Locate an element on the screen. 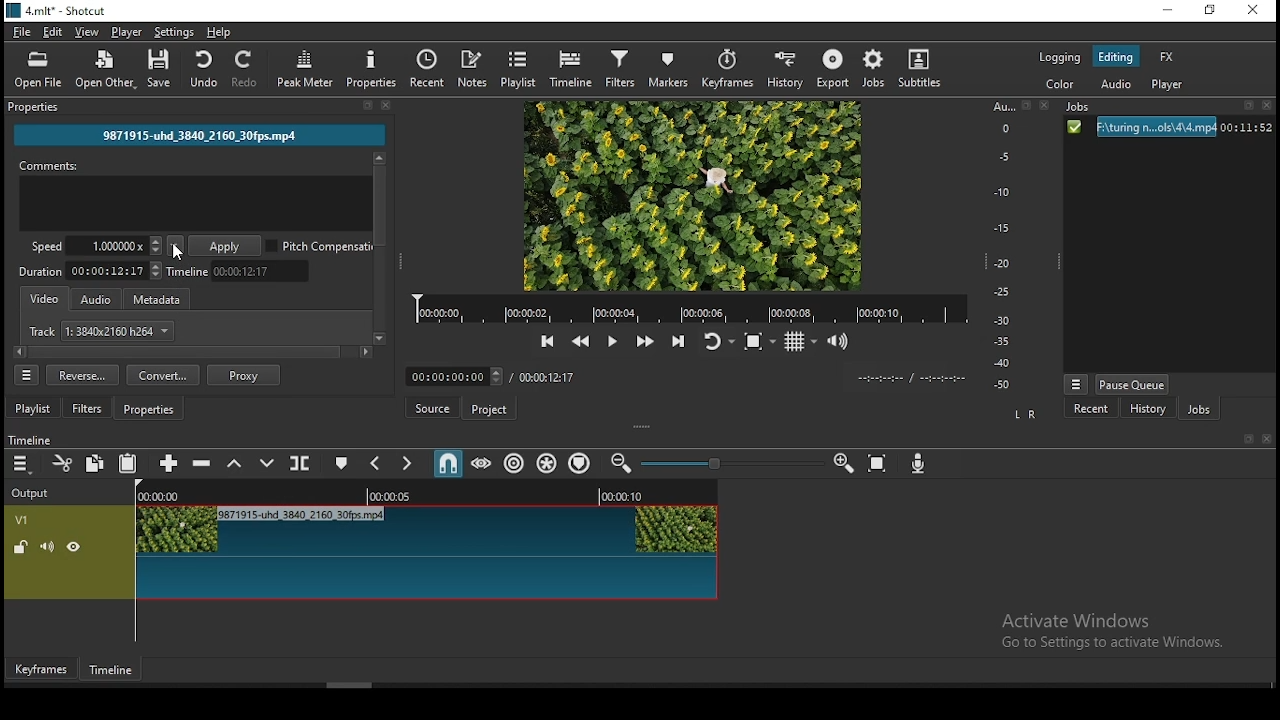  jobs menu is located at coordinates (1074, 386).